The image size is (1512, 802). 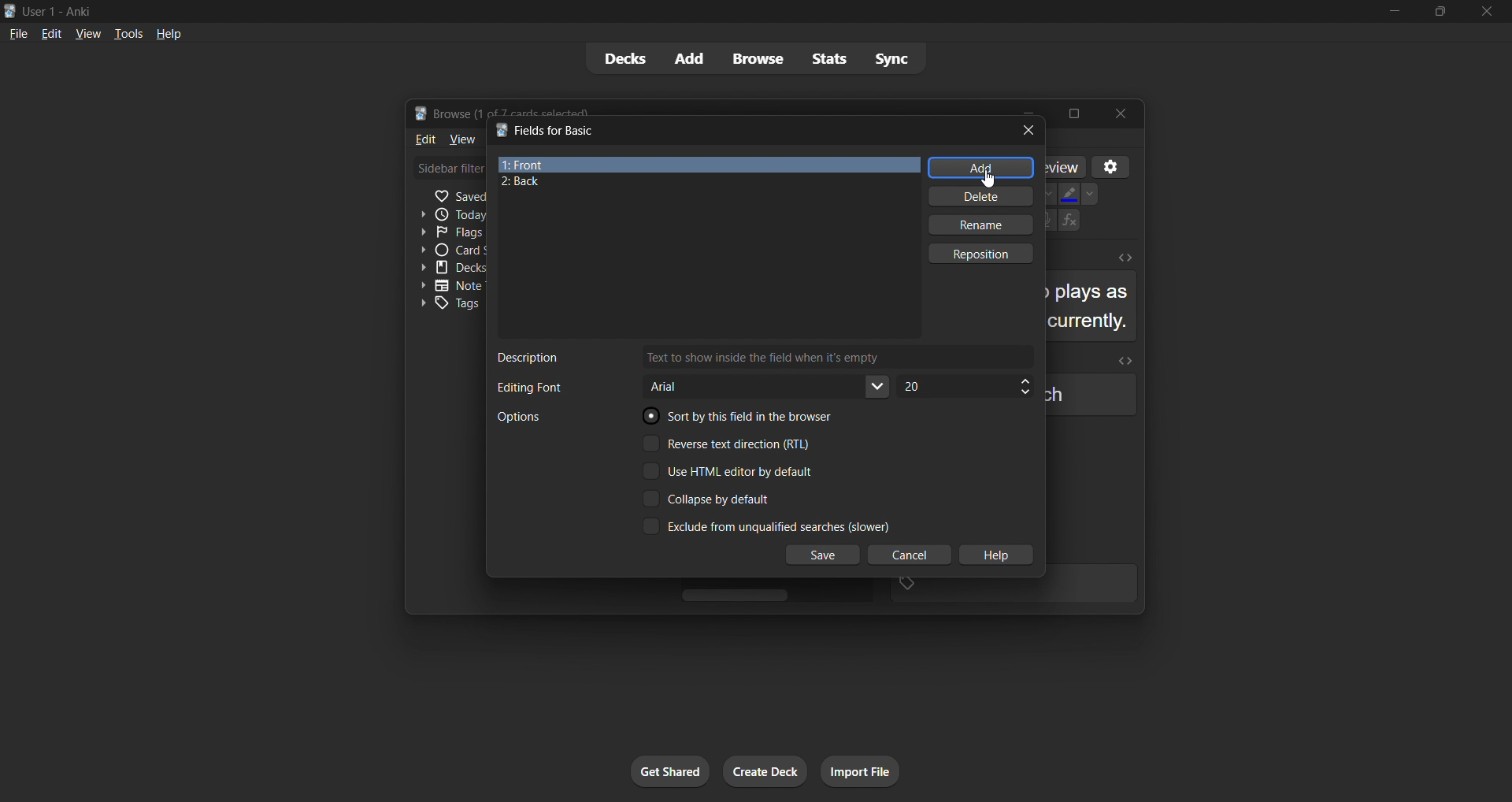 I want to click on cancel, so click(x=904, y=555).